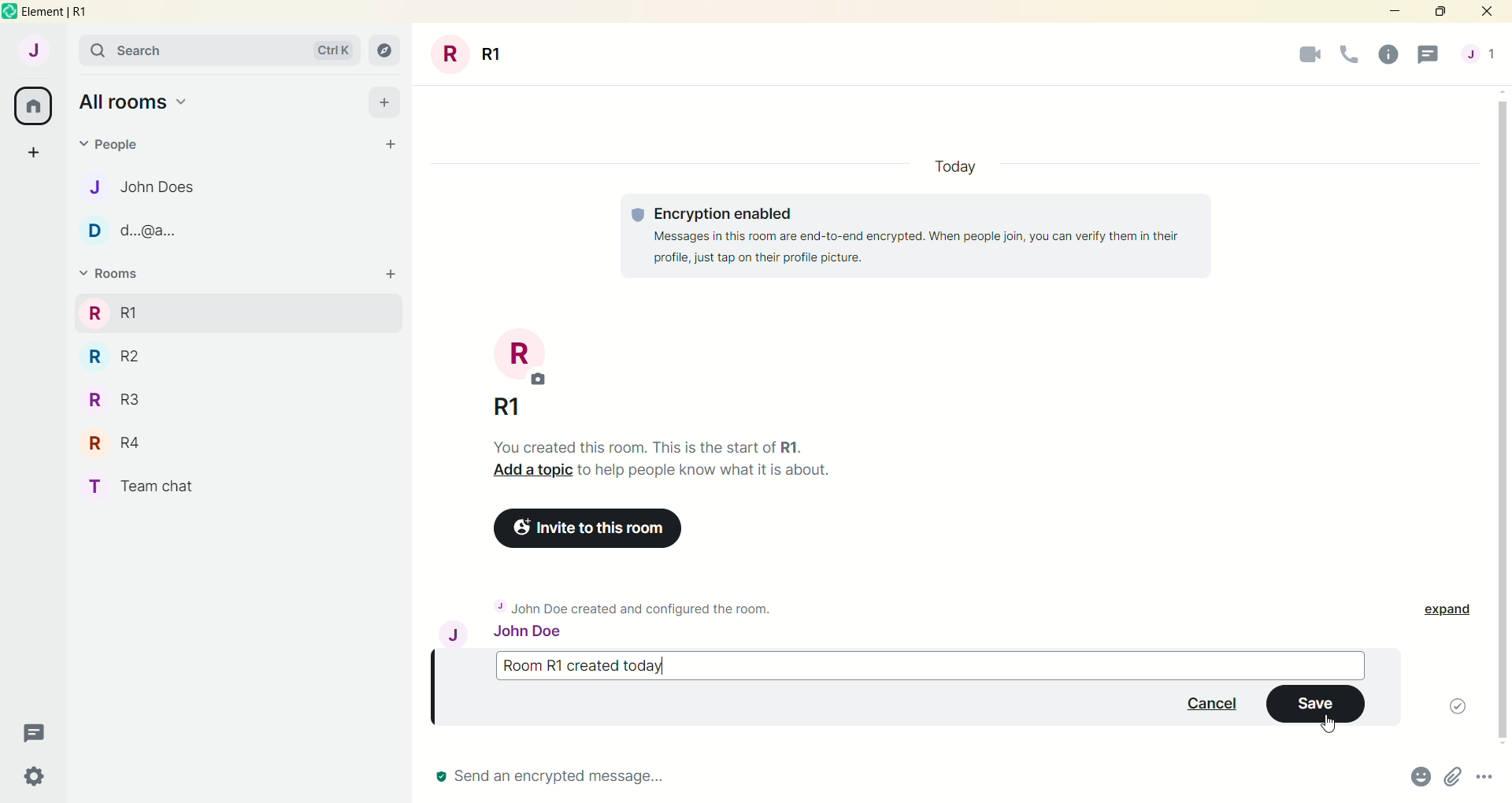 The height and width of the screenshot is (803, 1512). Describe the element at coordinates (386, 51) in the screenshot. I see `explore room` at that location.